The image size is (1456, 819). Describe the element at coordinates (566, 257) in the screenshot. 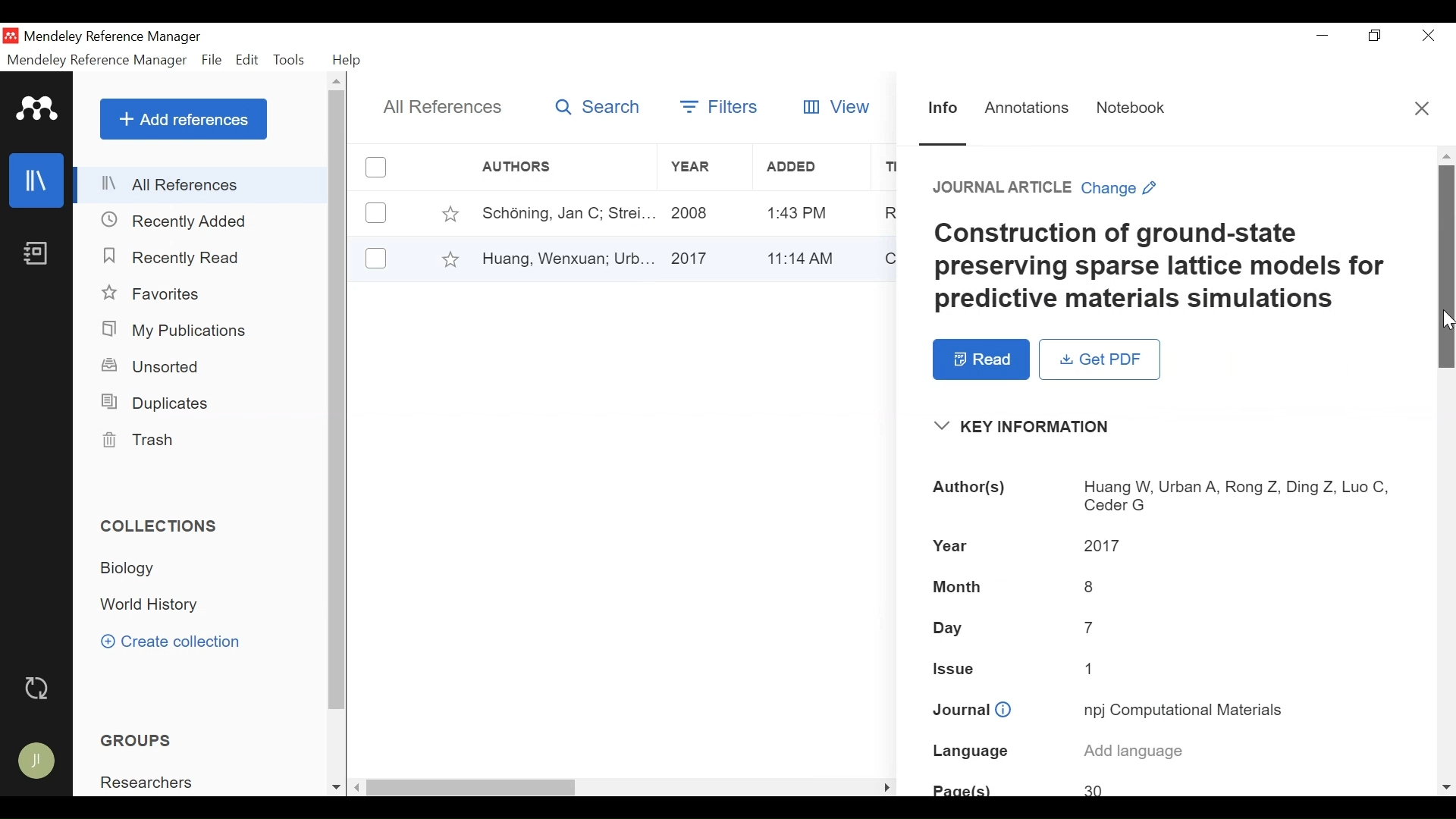

I see `Author` at that location.